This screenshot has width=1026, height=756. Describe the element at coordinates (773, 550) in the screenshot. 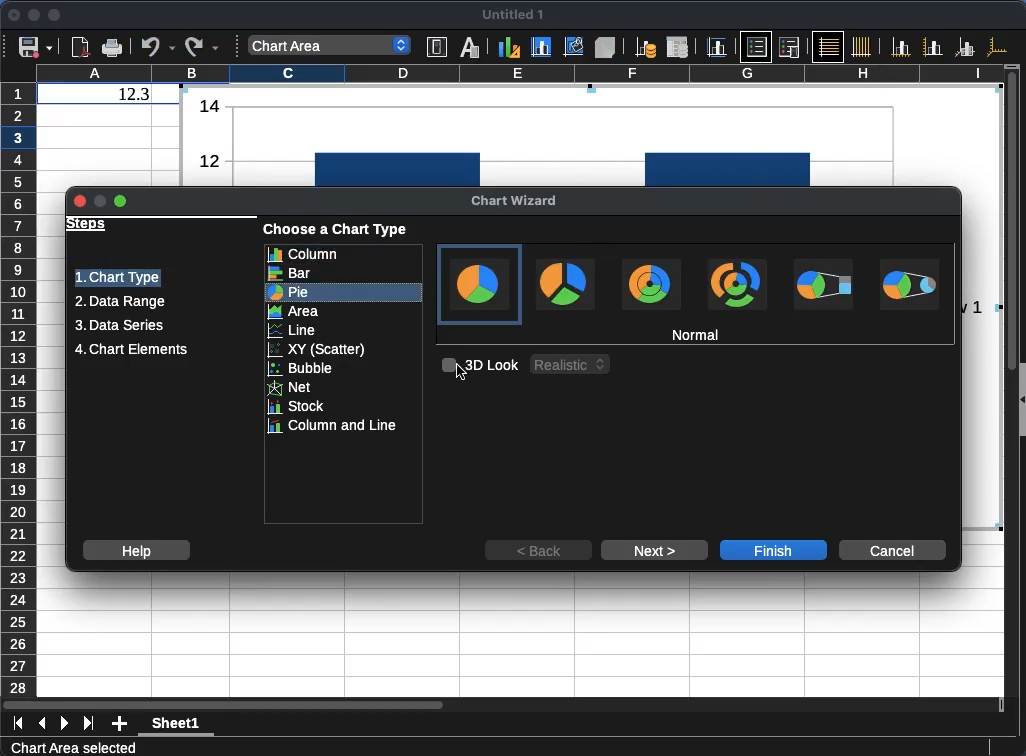

I see `finish` at that location.